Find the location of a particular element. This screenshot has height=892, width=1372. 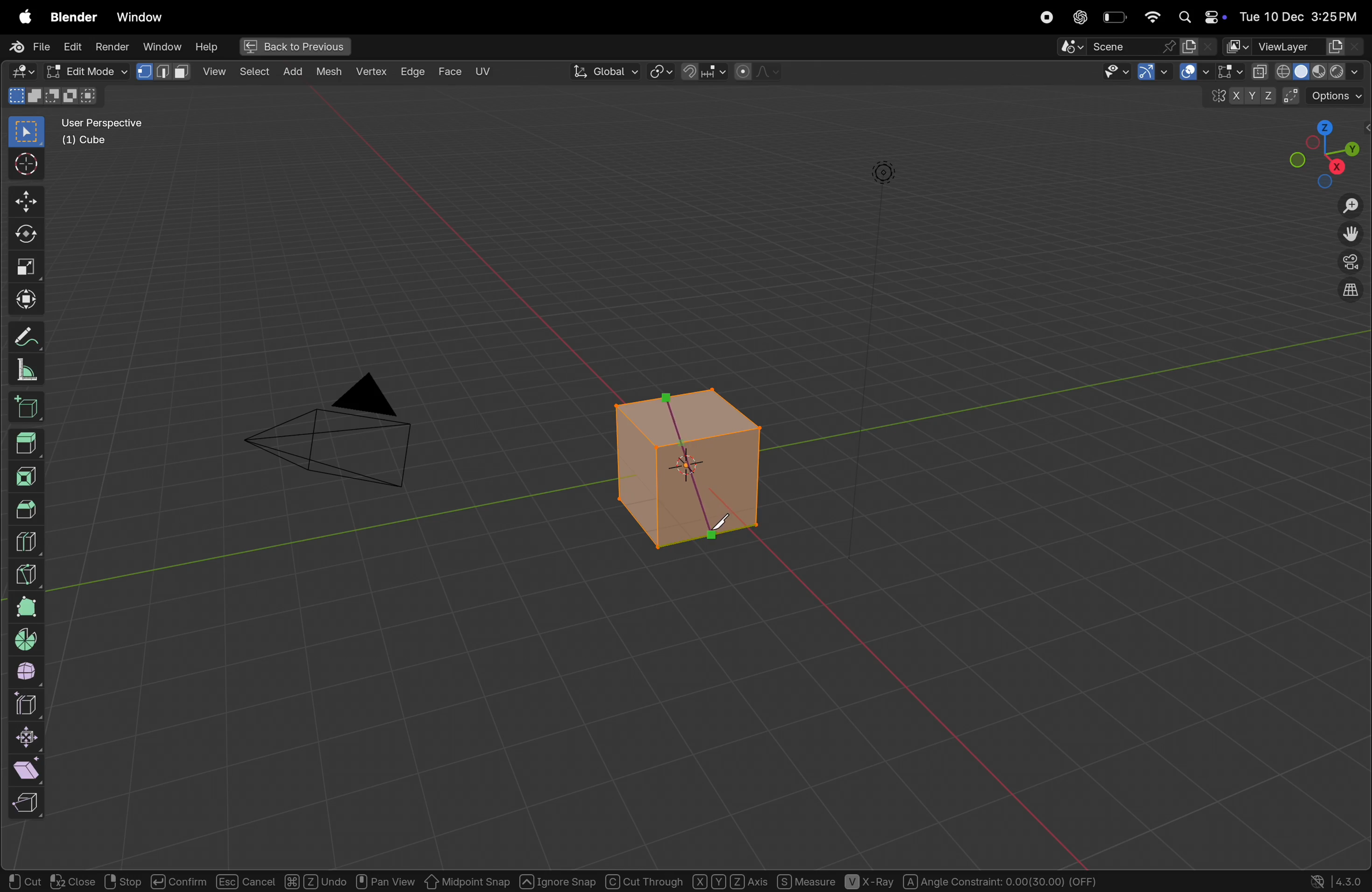

Extrude region is located at coordinates (27, 443).